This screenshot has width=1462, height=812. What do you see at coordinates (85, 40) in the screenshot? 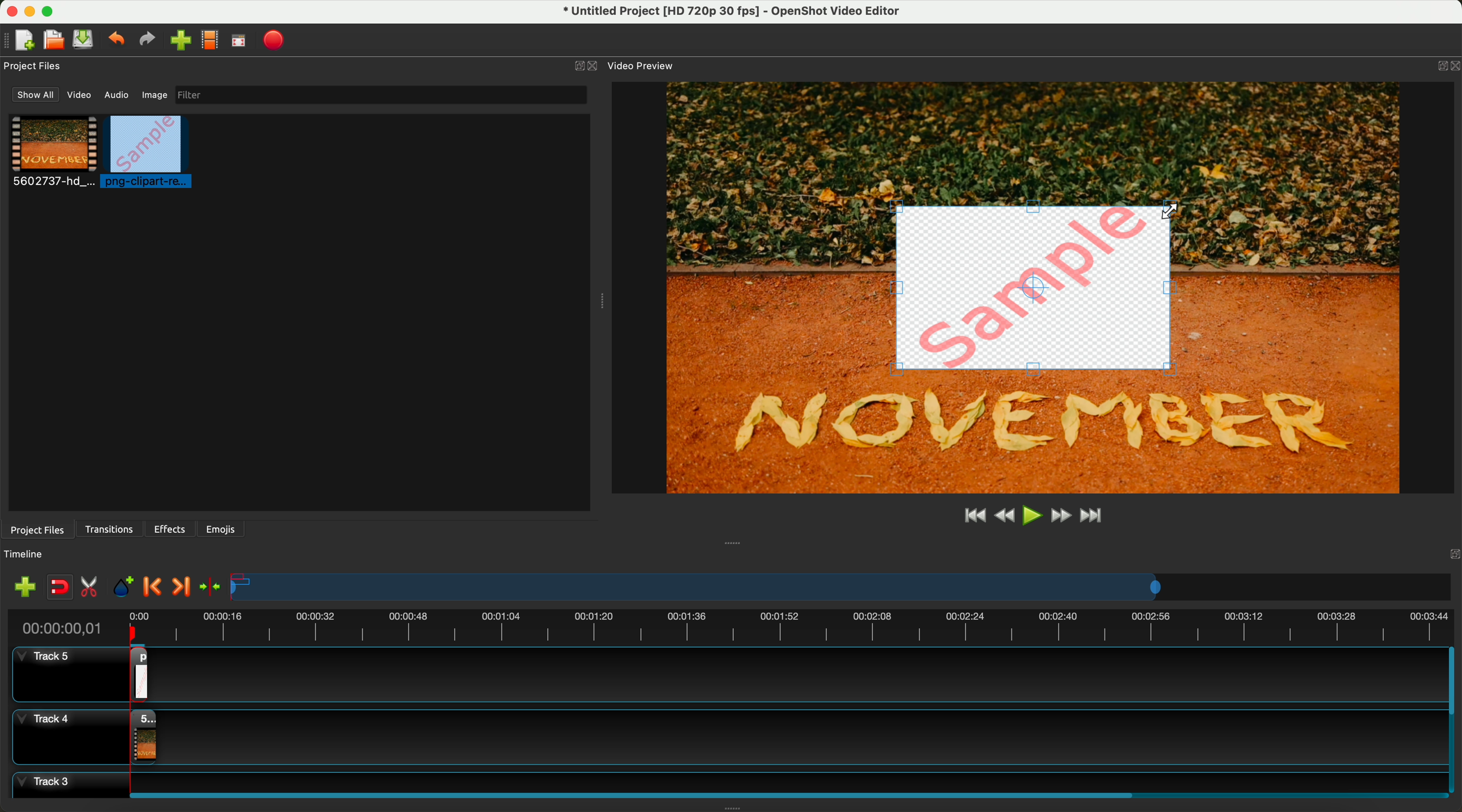
I see `save file` at bounding box center [85, 40].